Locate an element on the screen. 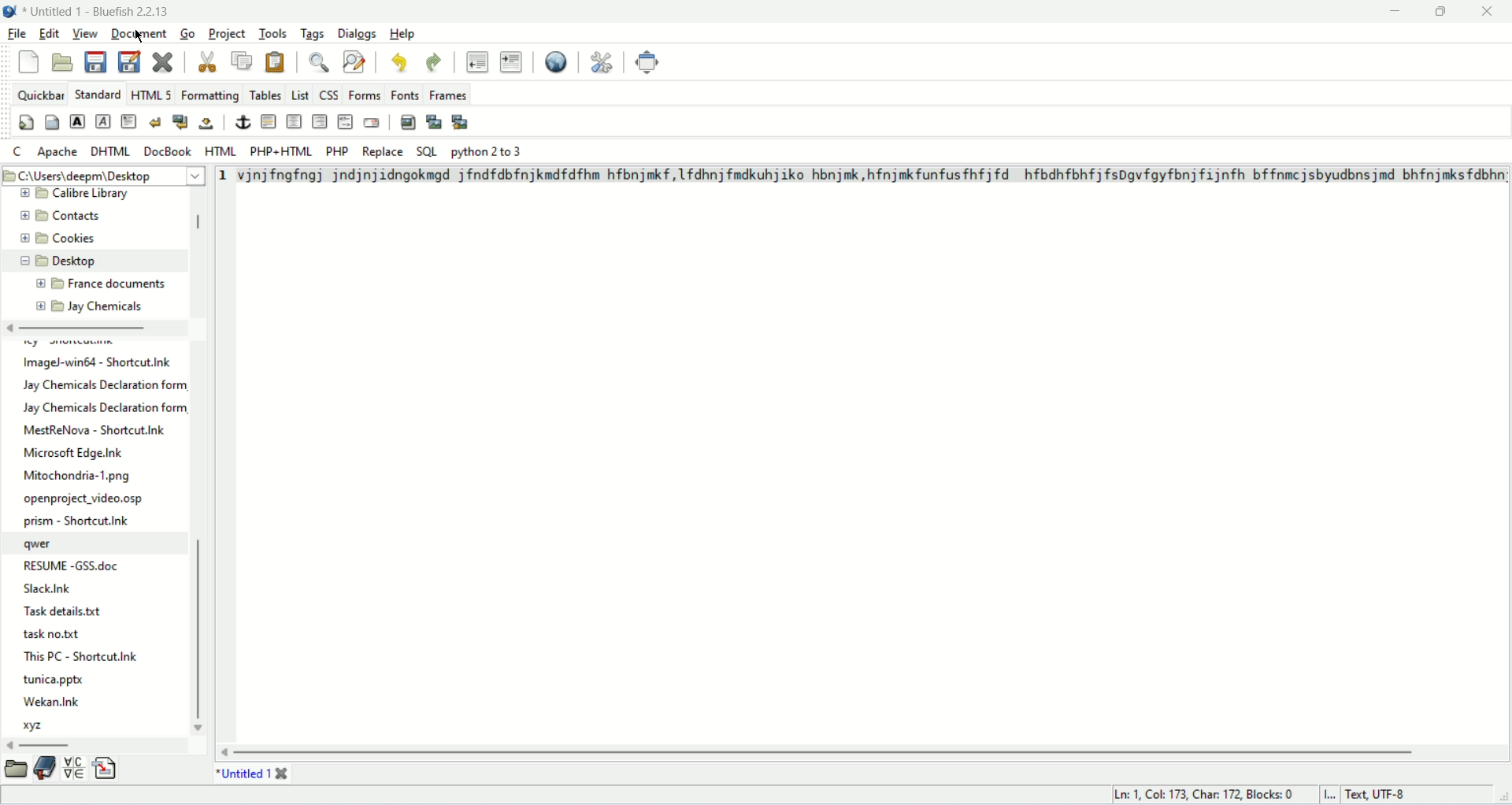 The height and width of the screenshot is (805, 1512). ‘Wekan.Ink is located at coordinates (50, 701).